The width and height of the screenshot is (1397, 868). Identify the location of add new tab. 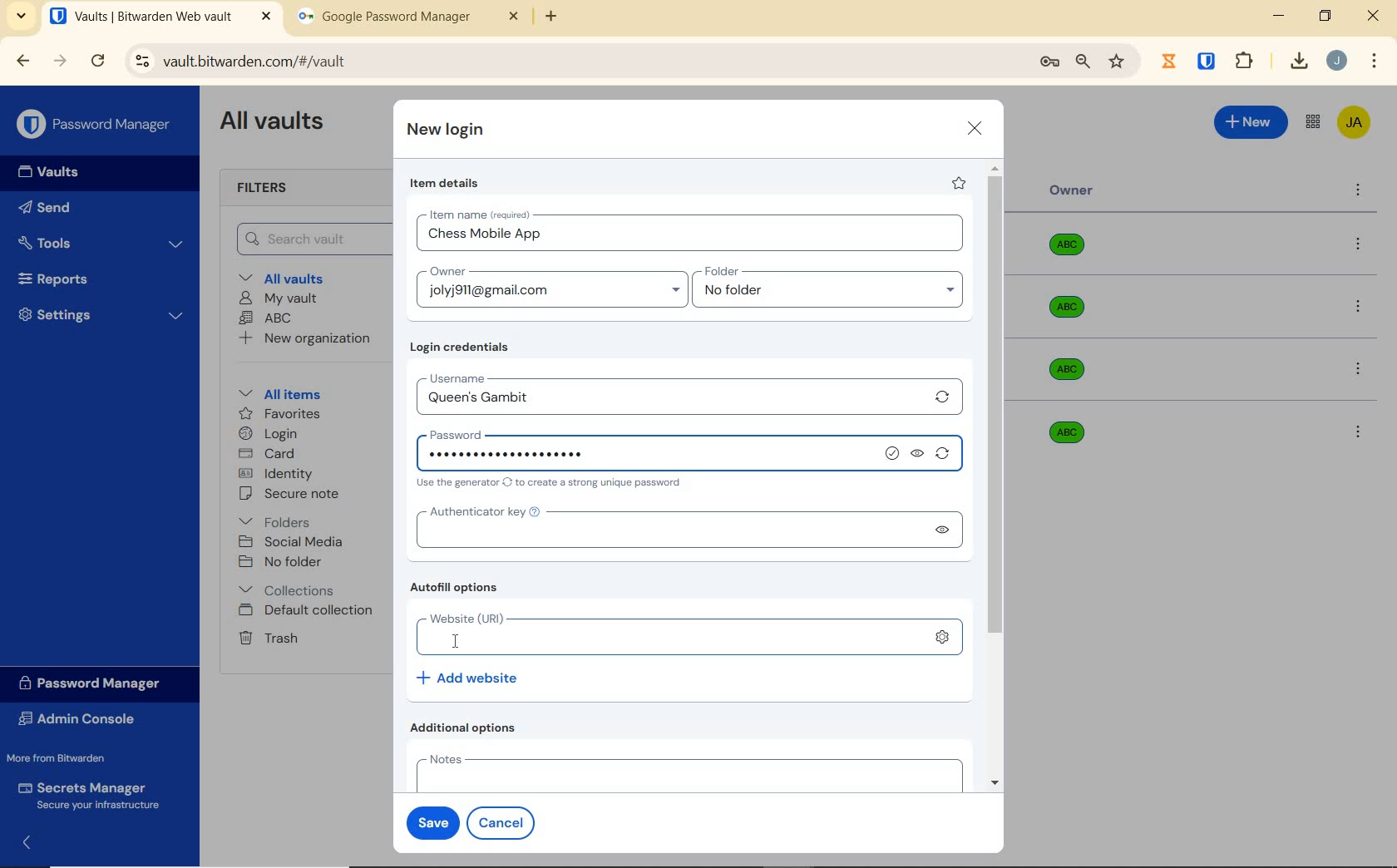
(564, 21).